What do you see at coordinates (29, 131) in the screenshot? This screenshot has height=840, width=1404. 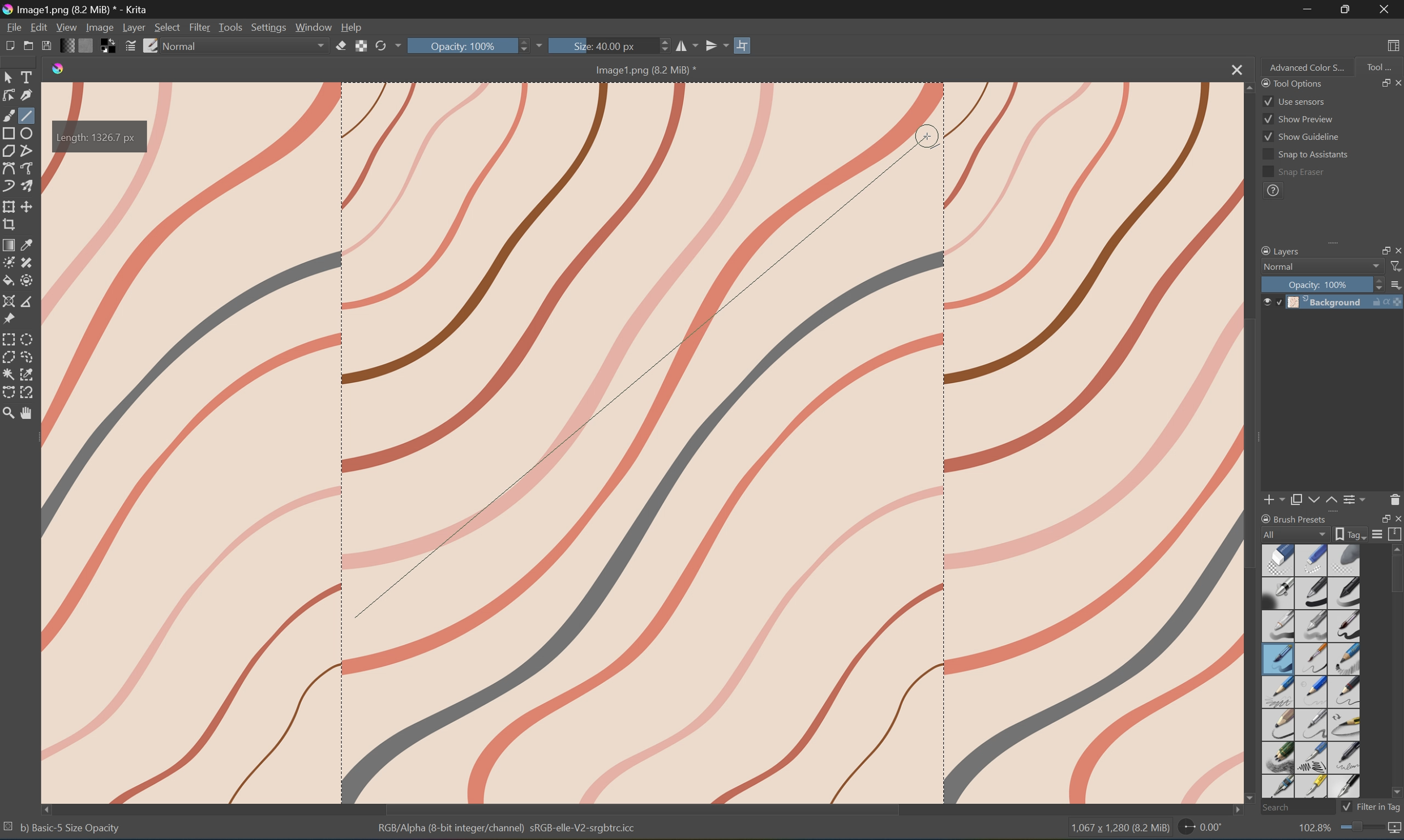 I see `Ellipse tool` at bounding box center [29, 131].